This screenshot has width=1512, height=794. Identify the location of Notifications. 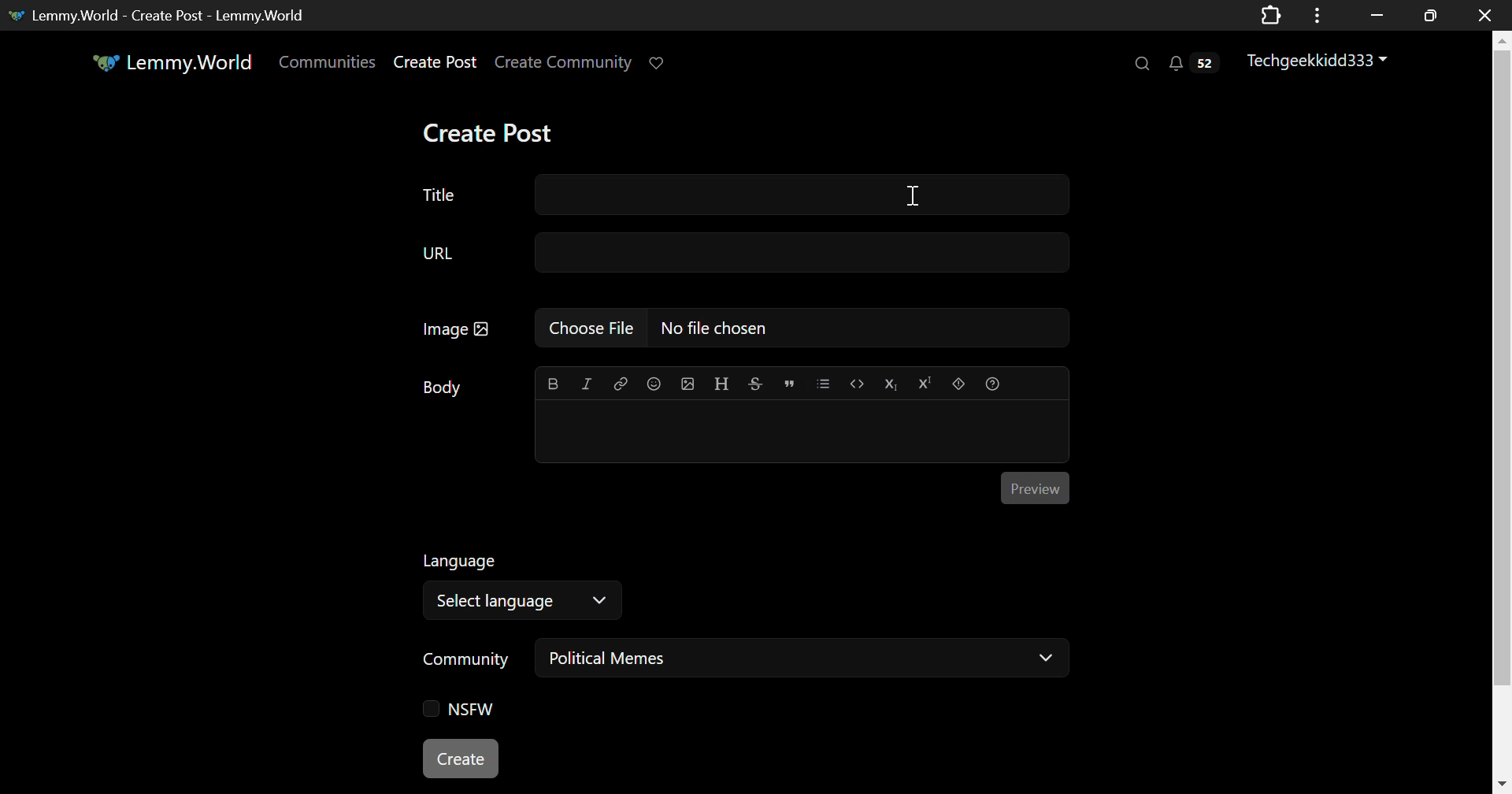
(1197, 65).